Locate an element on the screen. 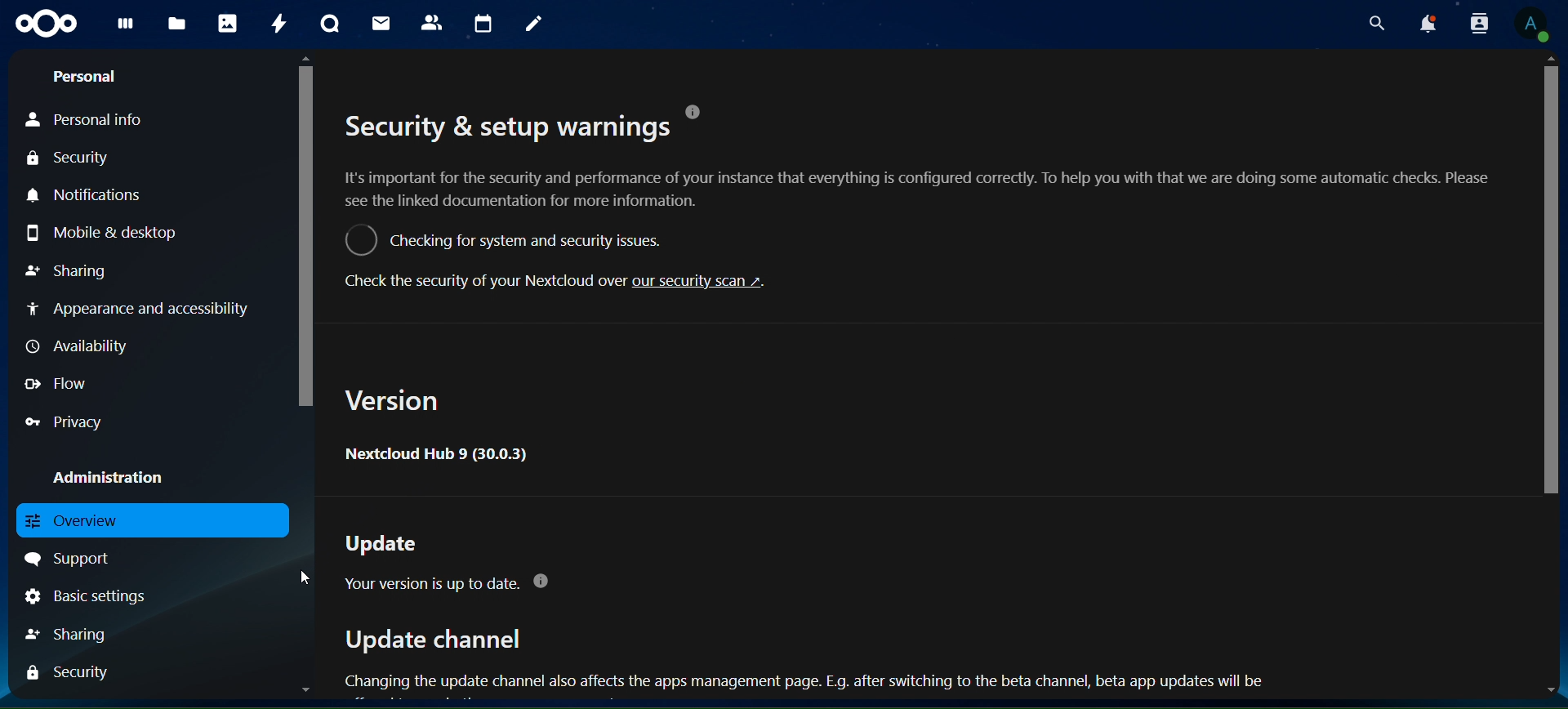 The width and height of the screenshot is (1568, 709). calendar is located at coordinates (484, 24).